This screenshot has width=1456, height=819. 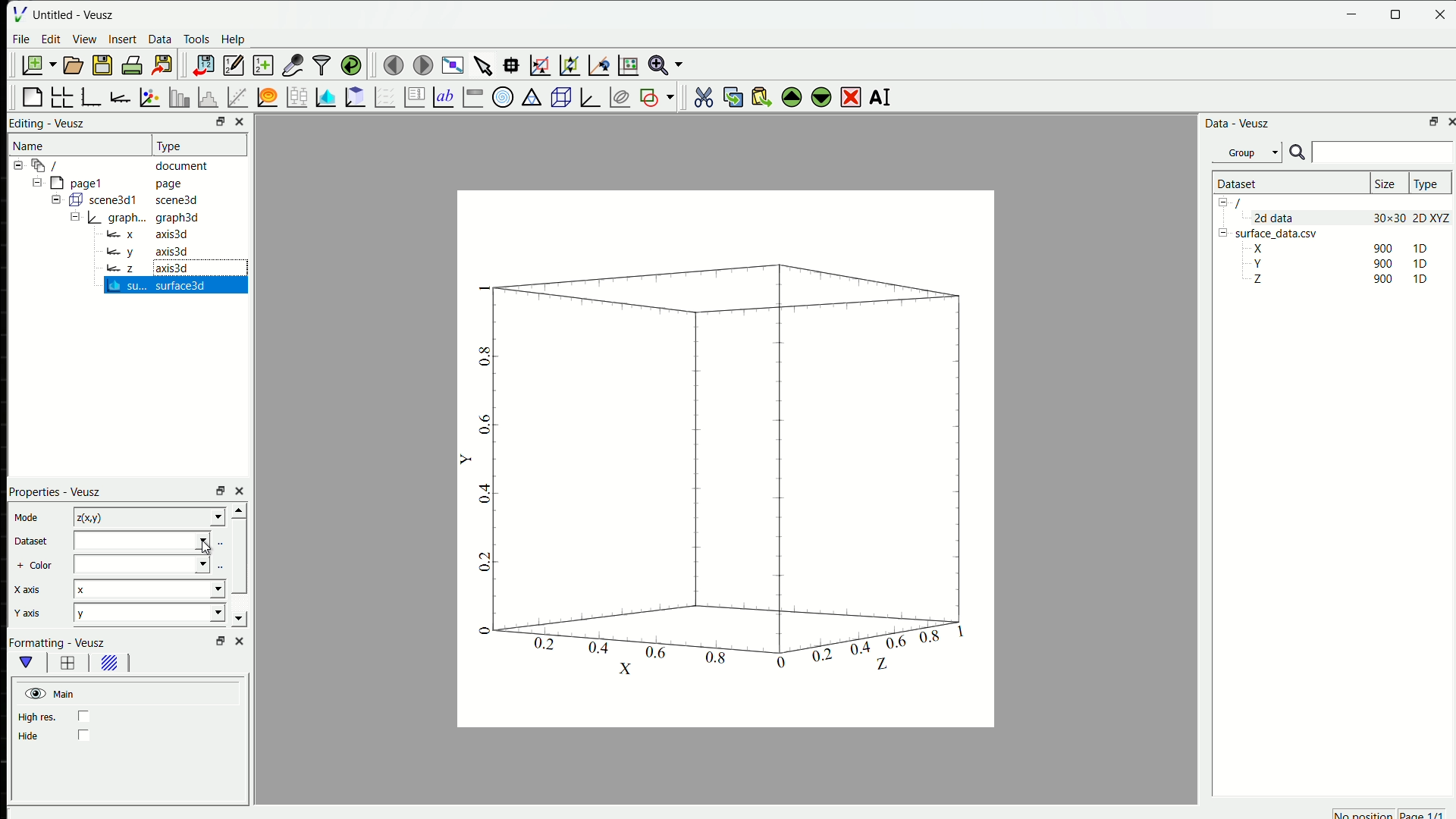 What do you see at coordinates (180, 219) in the screenshot?
I see `graph3d` at bounding box center [180, 219].